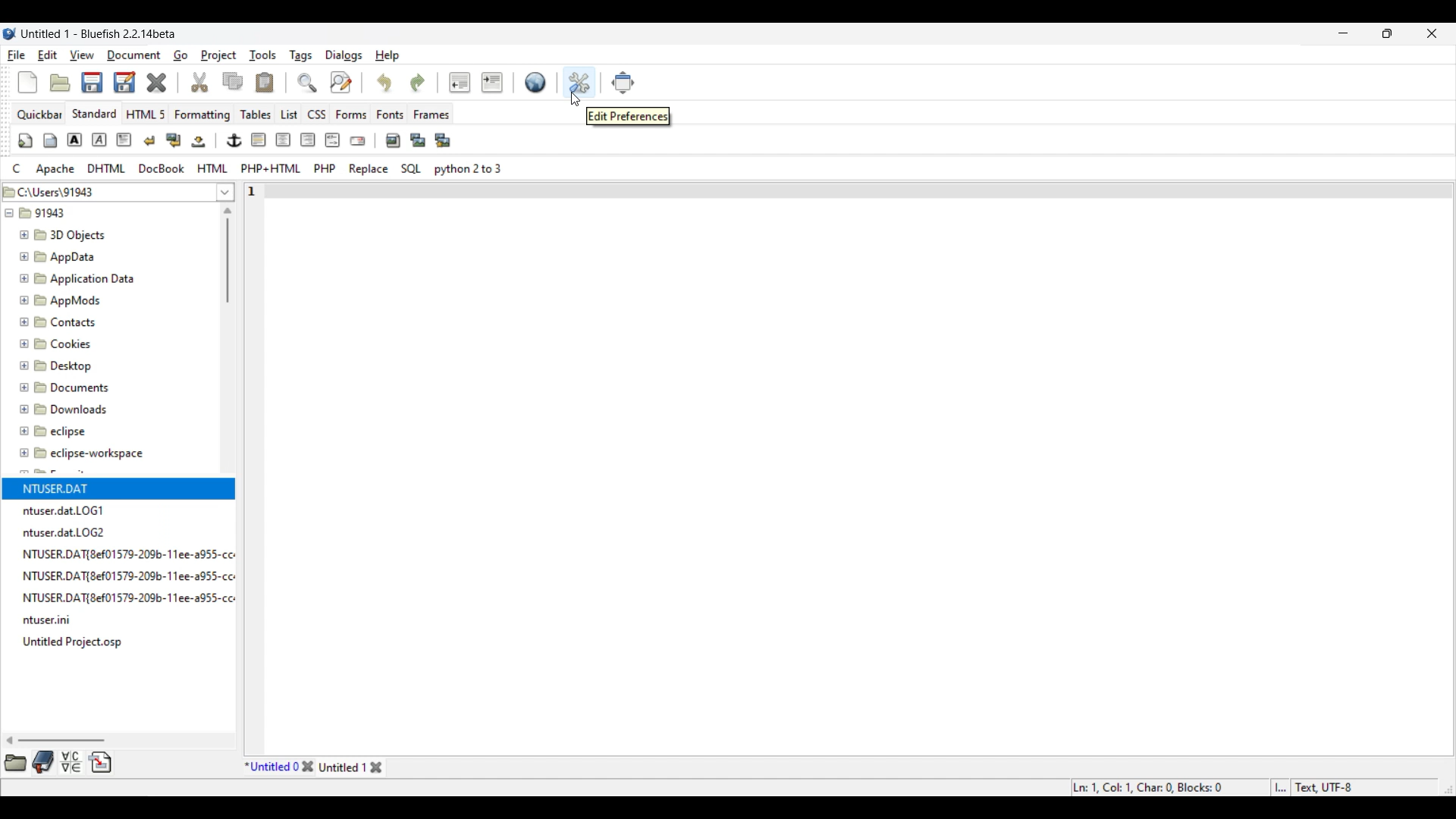 This screenshot has width=1456, height=819. I want to click on Indentation, so click(475, 82).